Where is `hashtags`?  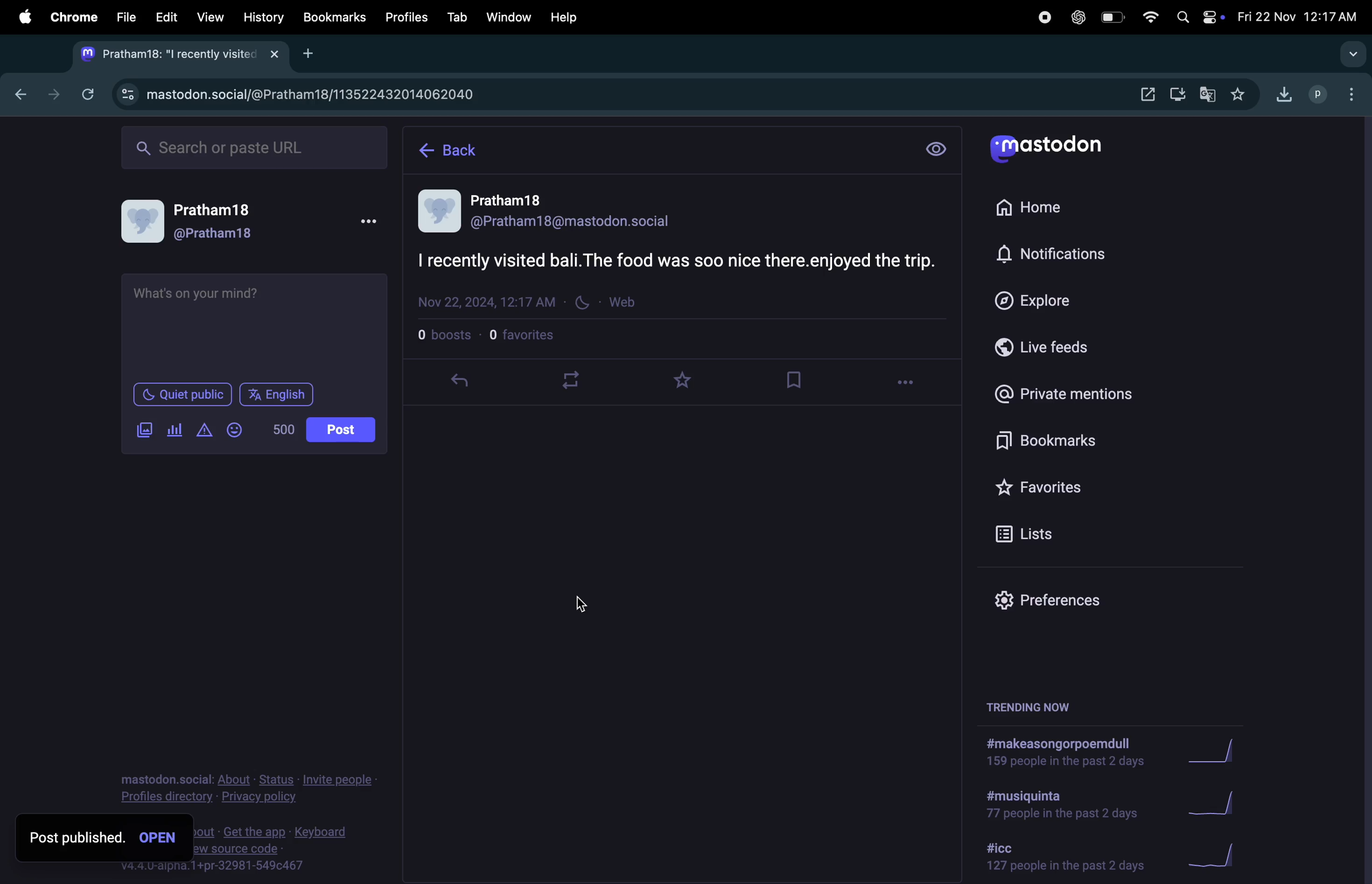
hashtags is located at coordinates (1054, 751).